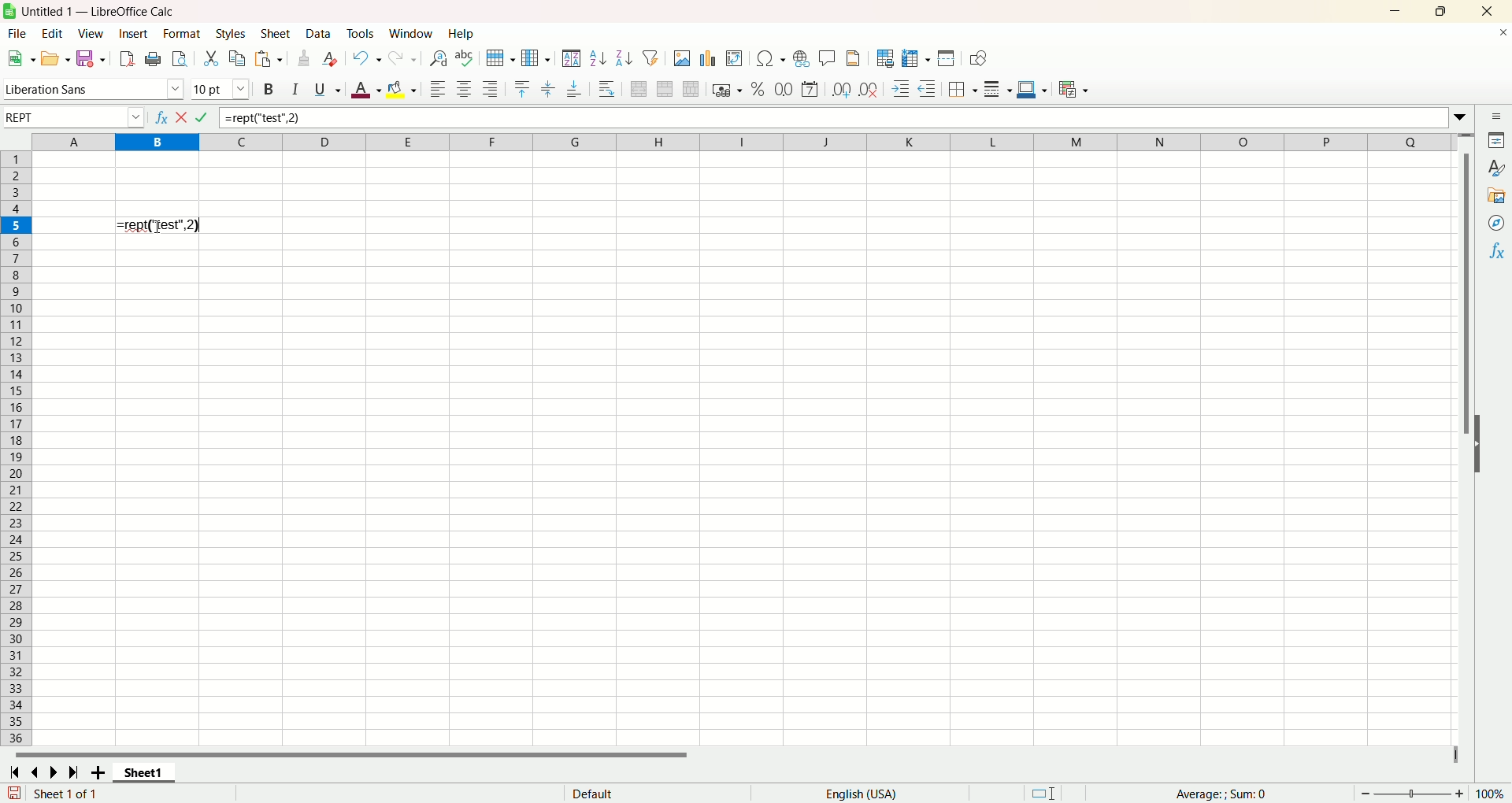 This screenshot has width=1512, height=803. What do you see at coordinates (828, 57) in the screenshot?
I see `insert comment` at bounding box center [828, 57].